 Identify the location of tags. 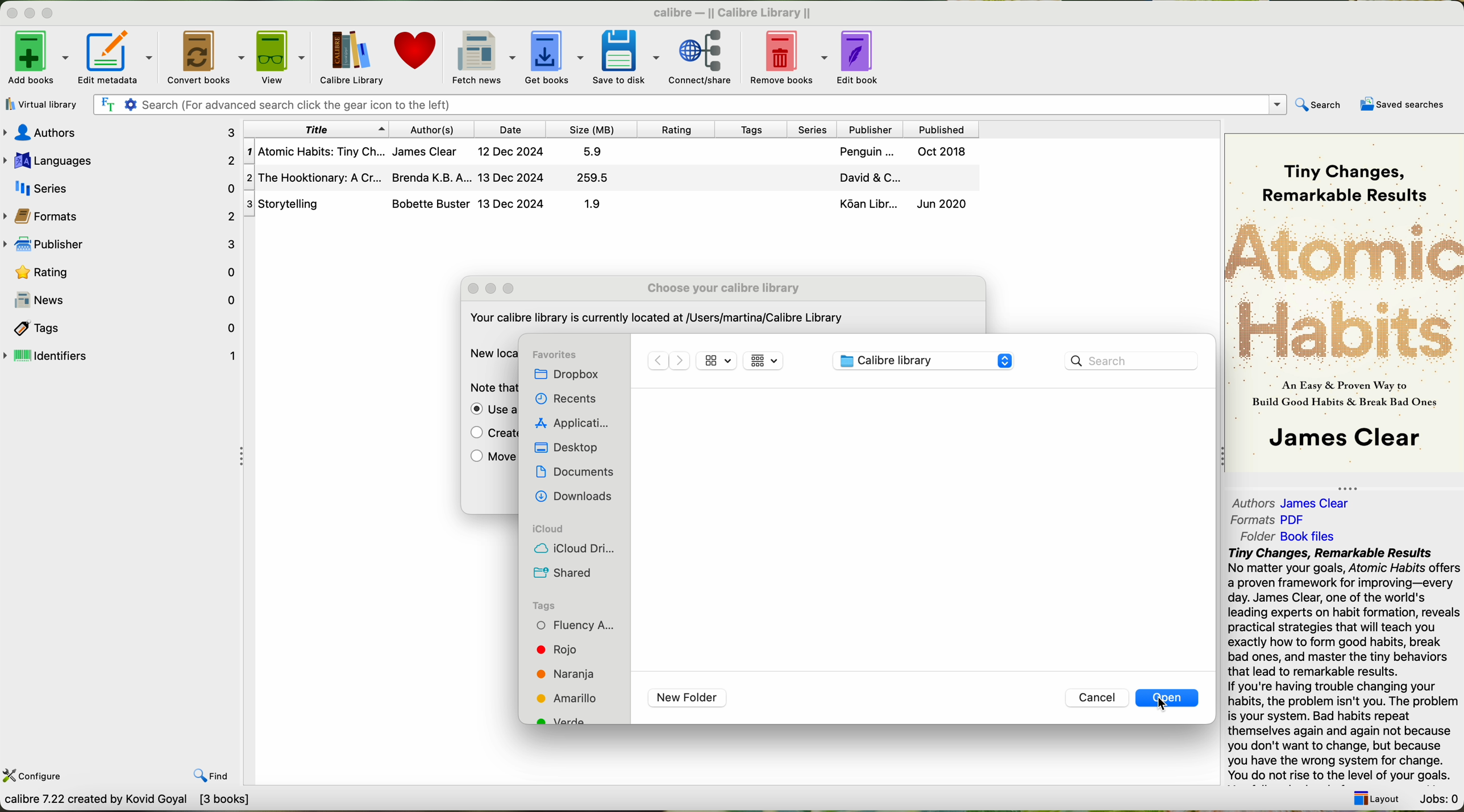
(121, 328).